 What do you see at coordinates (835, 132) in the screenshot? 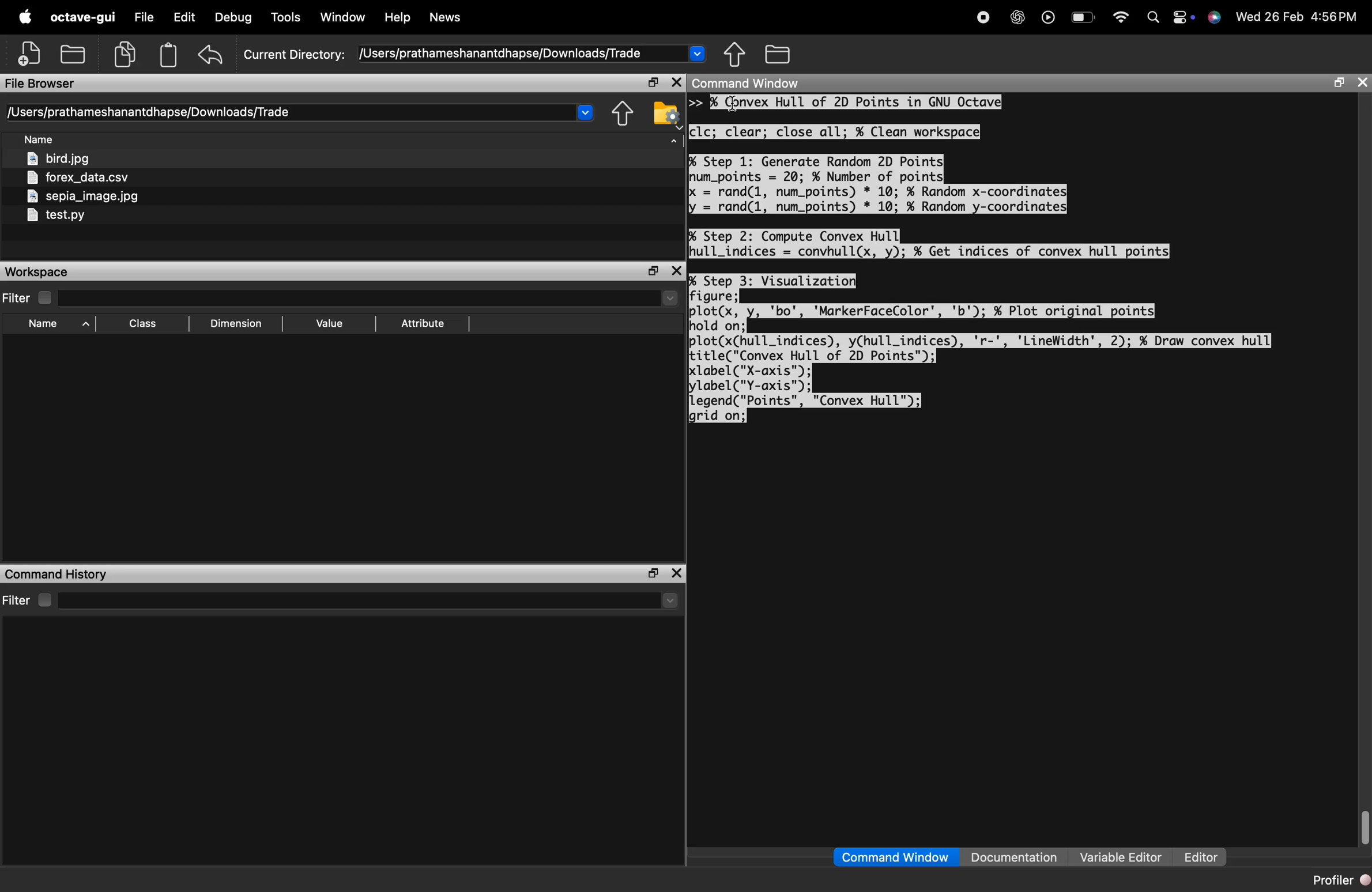
I see `clc; clear; close all; % Clean workspace` at bounding box center [835, 132].